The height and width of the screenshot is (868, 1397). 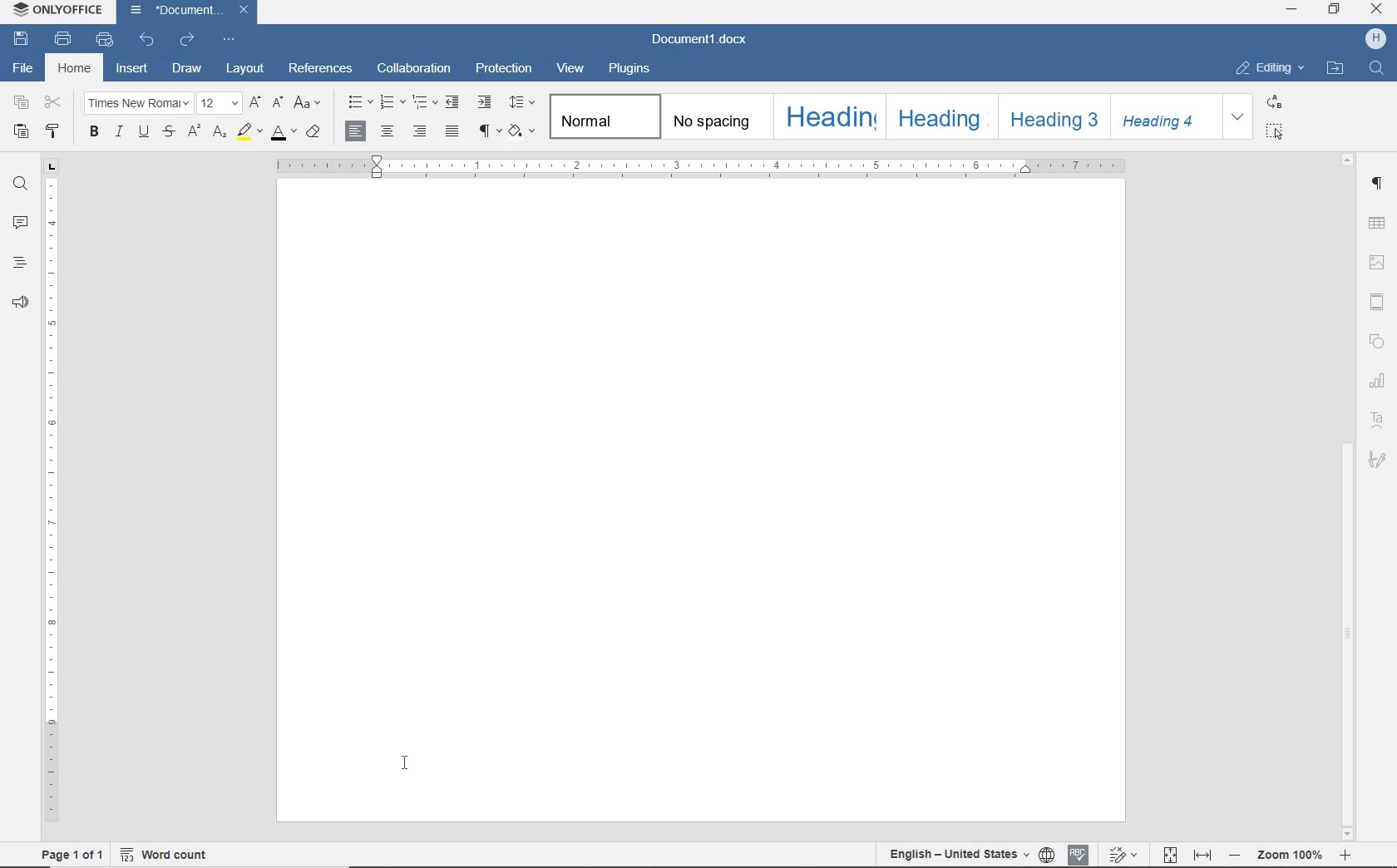 I want to click on ALIGN RIGHT, so click(x=418, y=131).